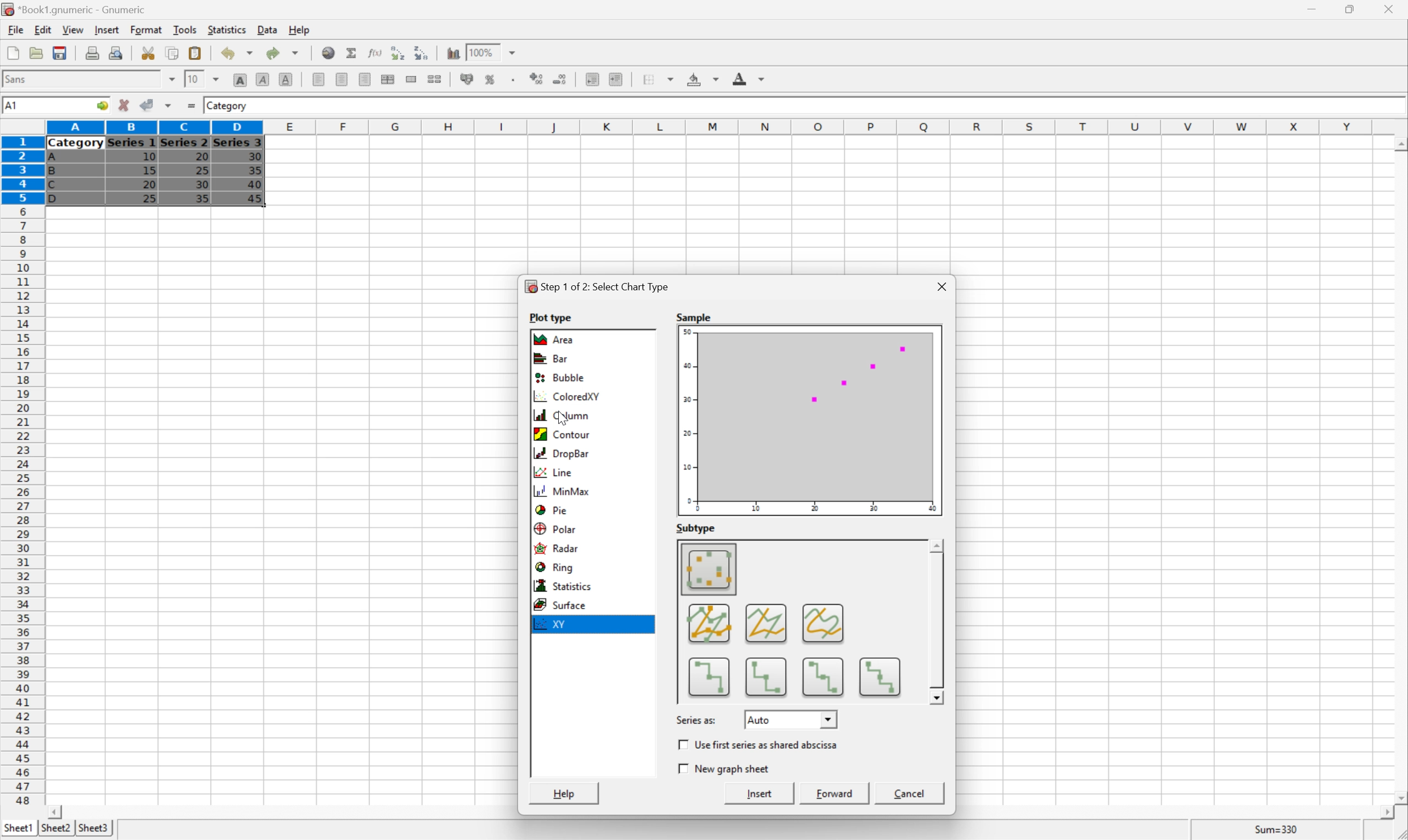 This screenshot has height=840, width=1408. Describe the element at coordinates (254, 156) in the screenshot. I see `30` at that location.